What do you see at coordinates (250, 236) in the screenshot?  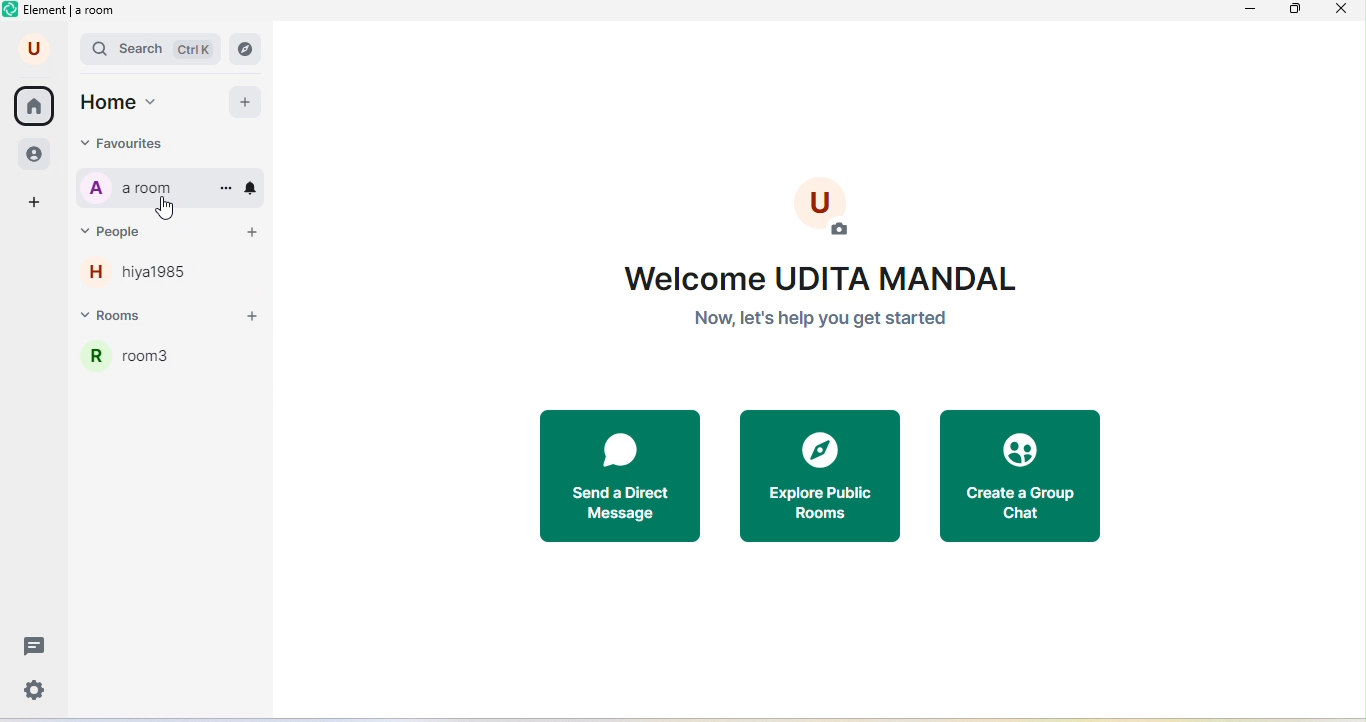 I see `add peole` at bounding box center [250, 236].